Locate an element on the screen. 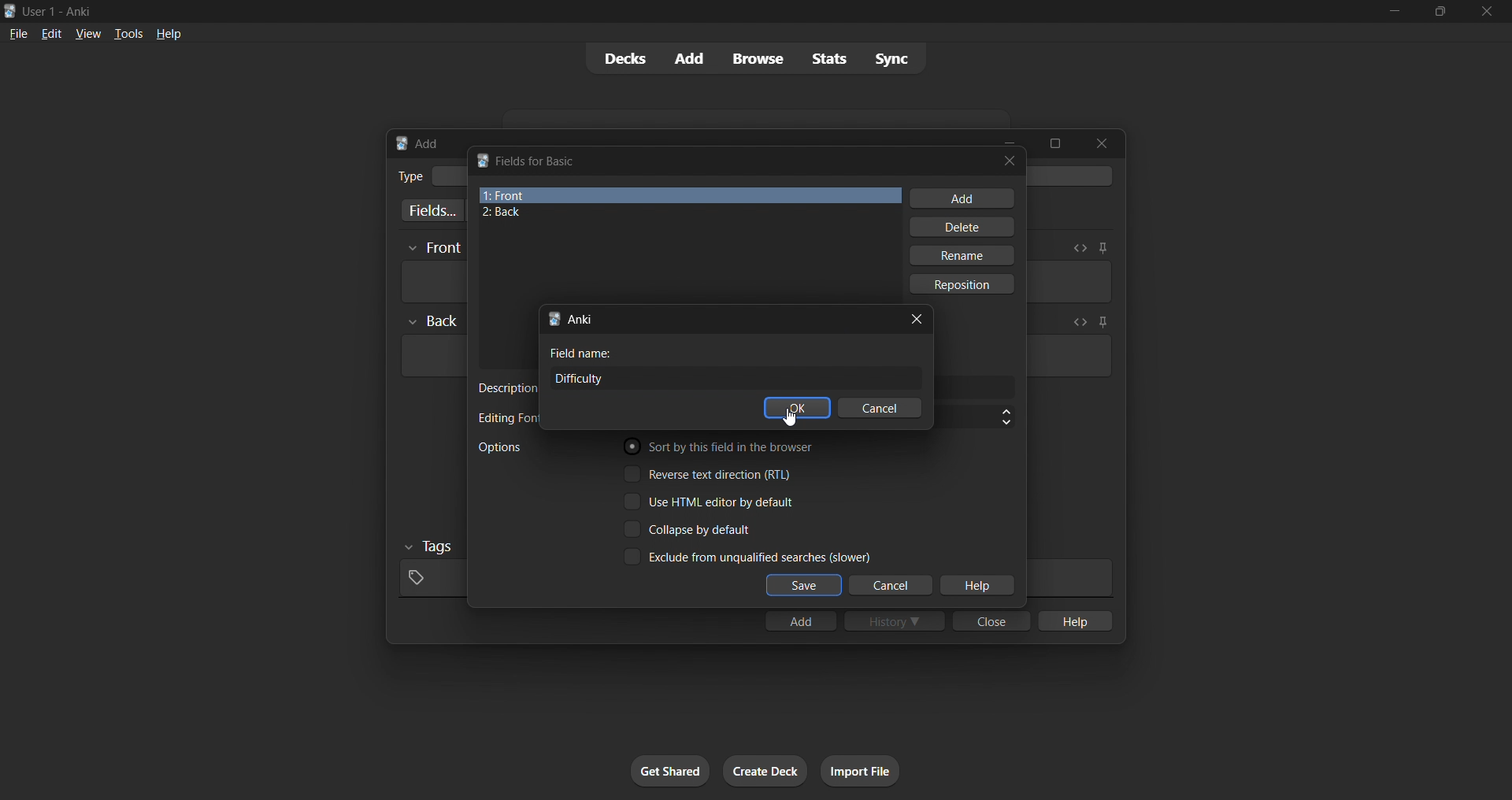 This screenshot has height=800, width=1512. Text is located at coordinates (499, 447).